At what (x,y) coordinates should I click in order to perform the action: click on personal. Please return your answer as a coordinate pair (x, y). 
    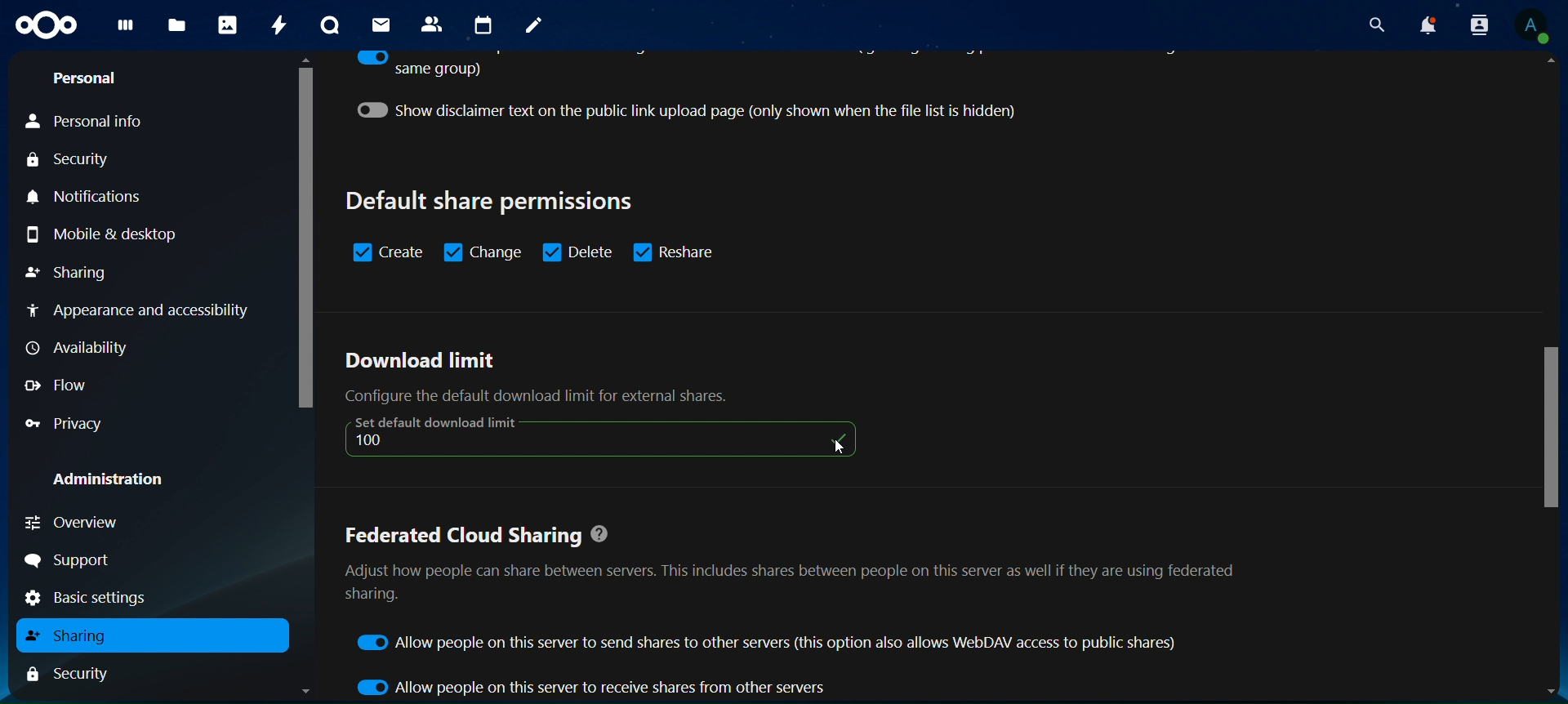
    Looking at the image, I should click on (88, 77).